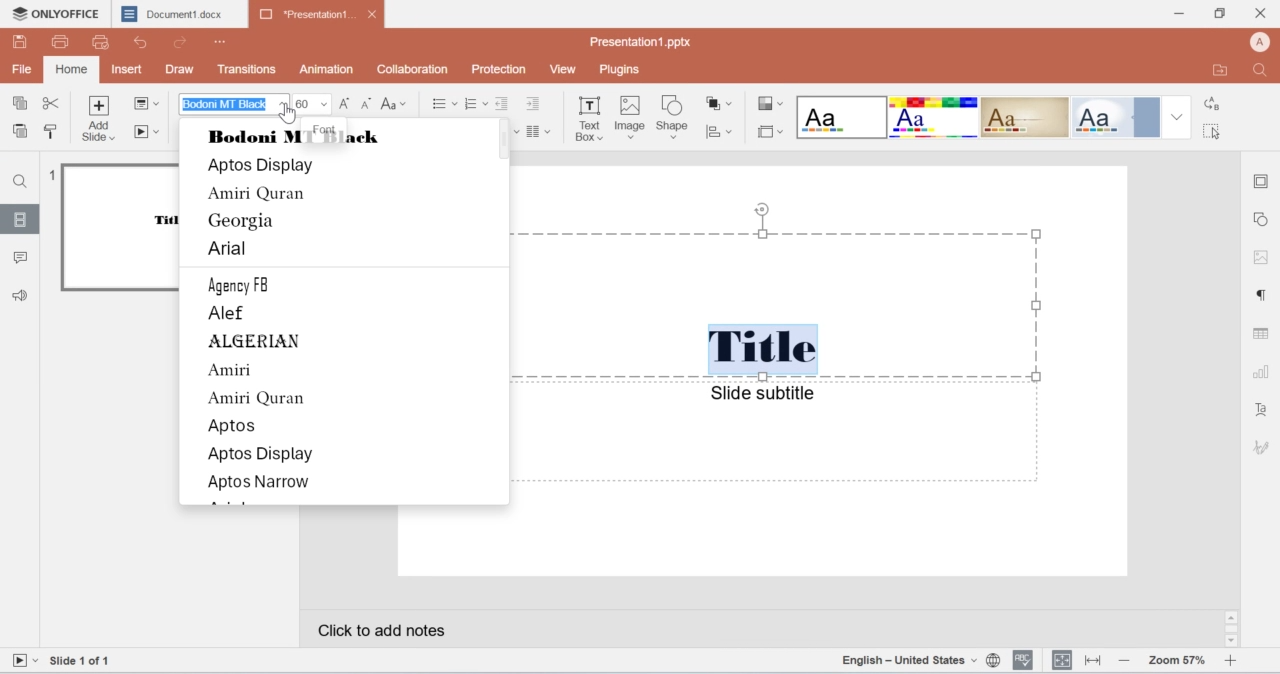 This screenshot has height=674, width=1280. What do you see at coordinates (566, 69) in the screenshot?
I see `view` at bounding box center [566, 69].